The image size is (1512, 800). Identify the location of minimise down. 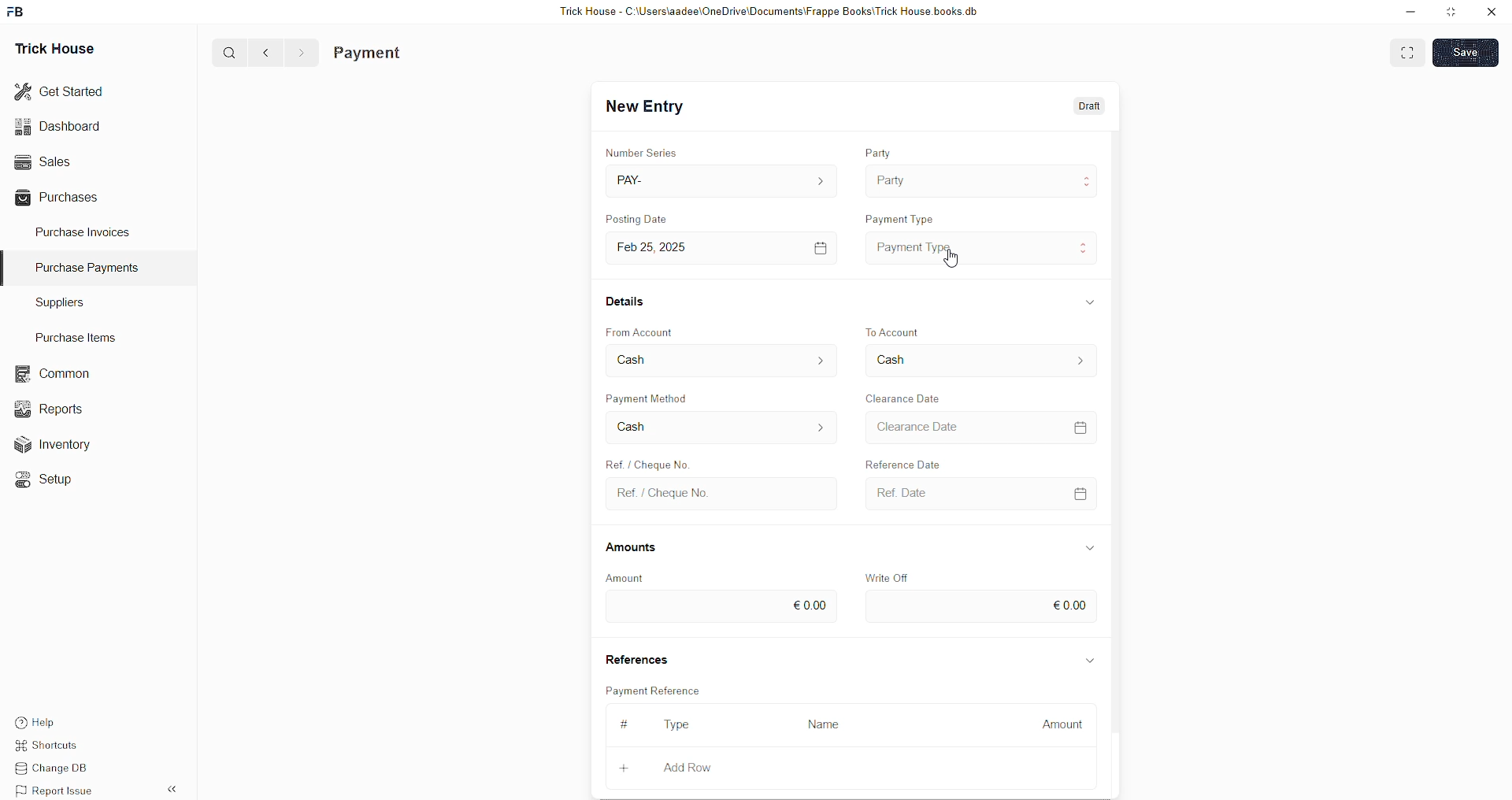
(1408, 12).